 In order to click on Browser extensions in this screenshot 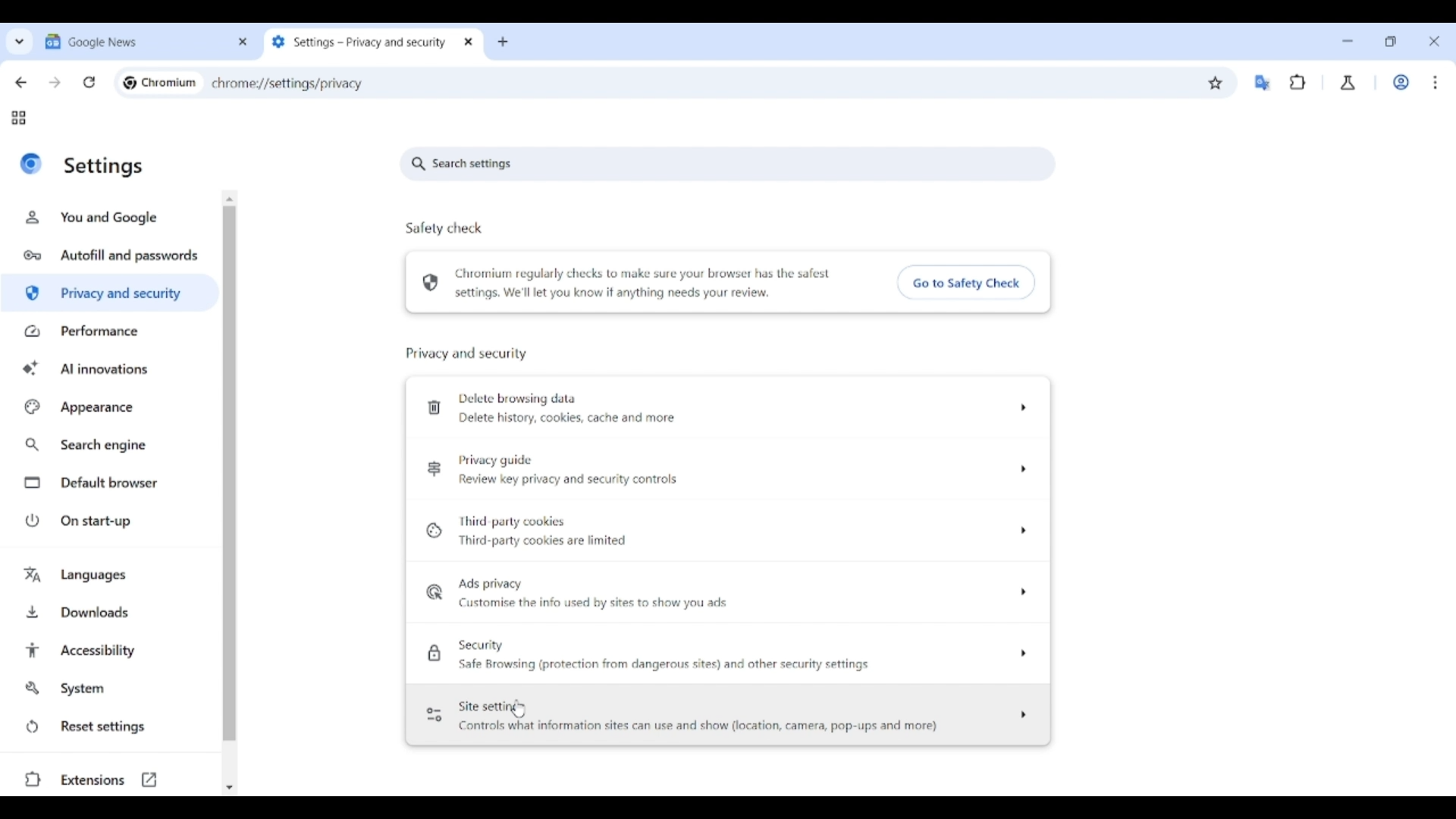, I will do `click(1298, 82)`.